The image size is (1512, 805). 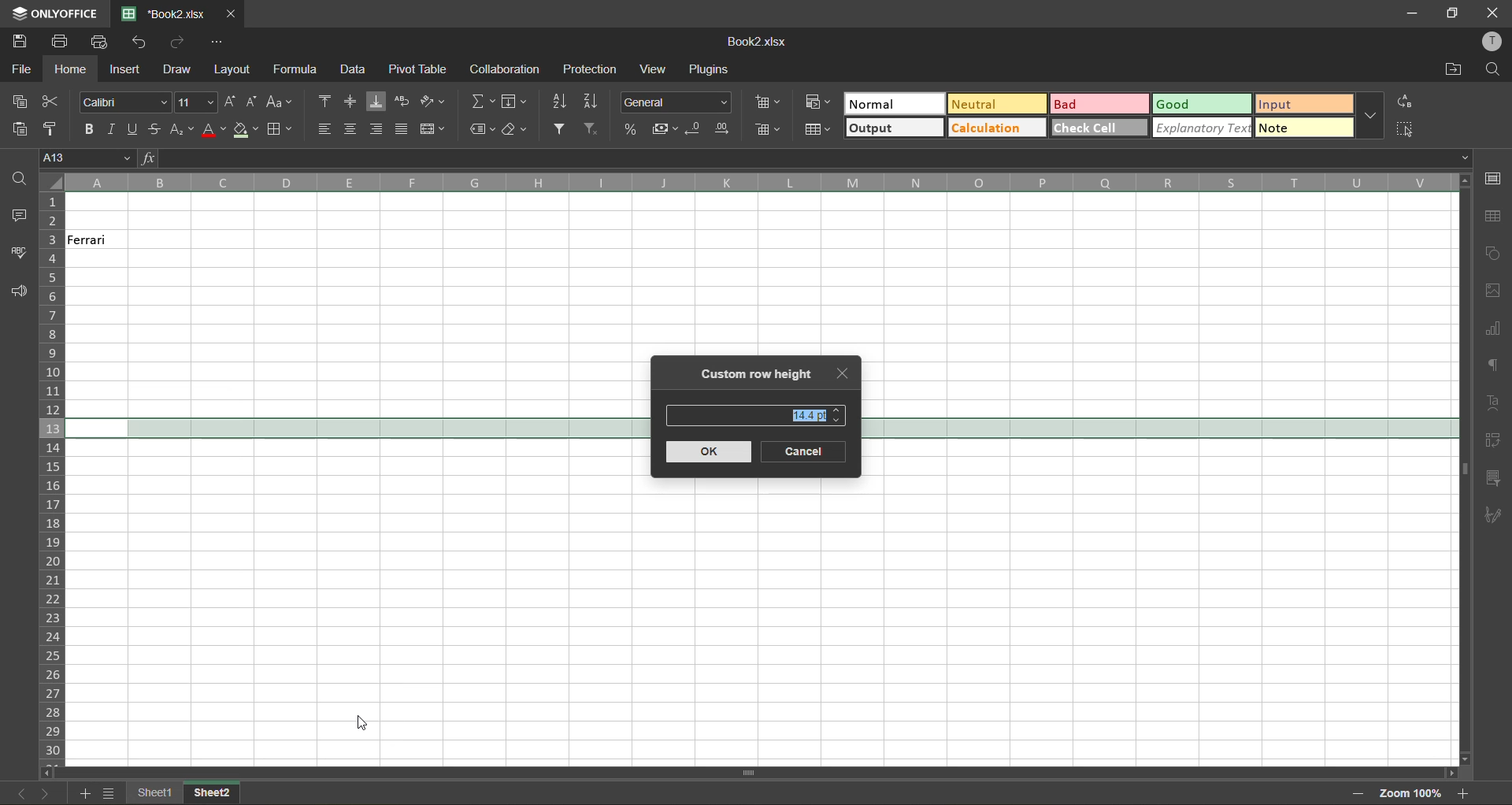 What do you see at coordinates (804, 157) in the screenshot?
I see `formula bar` at bounding box center [804, 157].